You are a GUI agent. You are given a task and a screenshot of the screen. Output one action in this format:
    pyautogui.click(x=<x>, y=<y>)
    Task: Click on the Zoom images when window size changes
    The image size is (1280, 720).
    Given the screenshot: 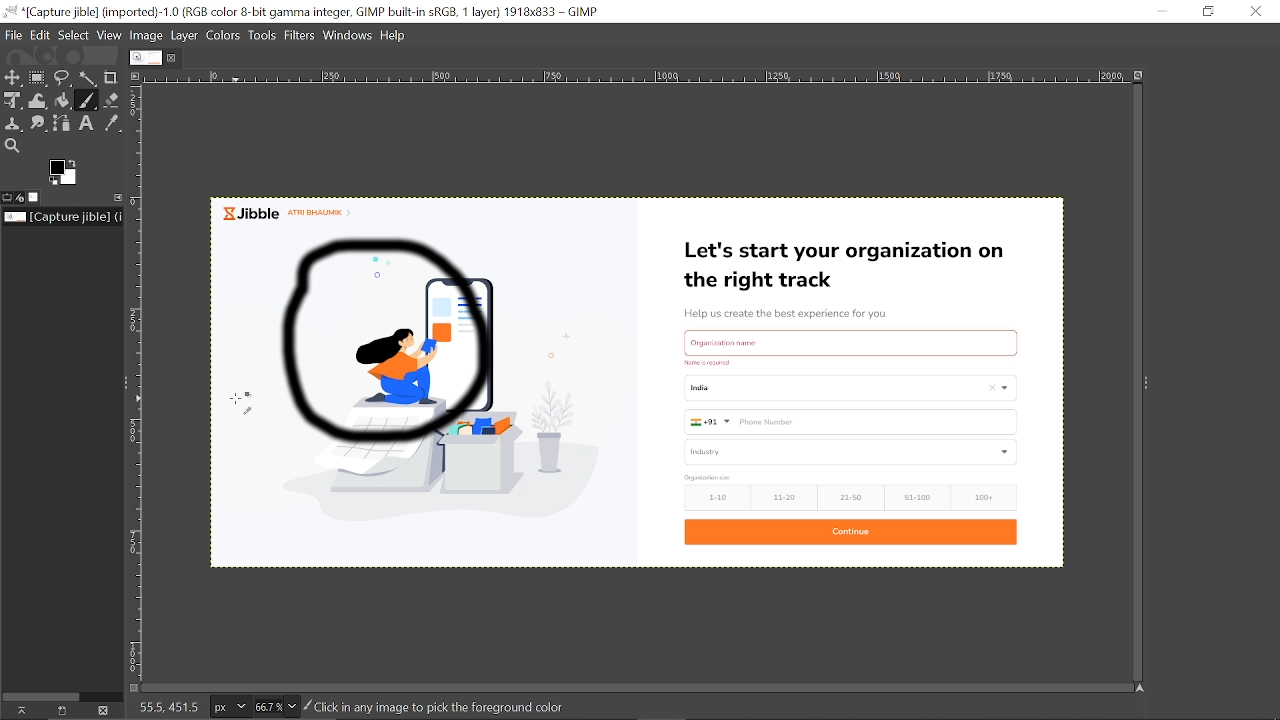 What is the action you would take?
    pyautogui.click(x=1139, y=74)
    